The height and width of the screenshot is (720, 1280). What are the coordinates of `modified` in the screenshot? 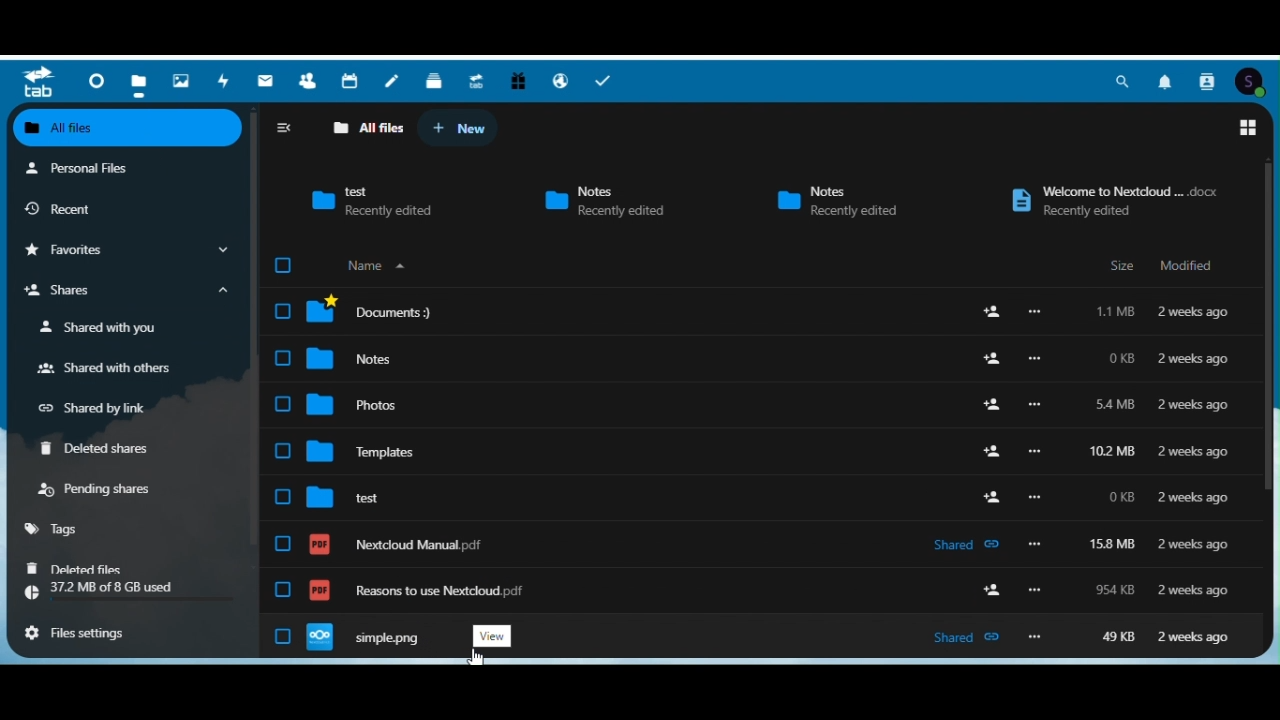 It's located at (1194, 405).